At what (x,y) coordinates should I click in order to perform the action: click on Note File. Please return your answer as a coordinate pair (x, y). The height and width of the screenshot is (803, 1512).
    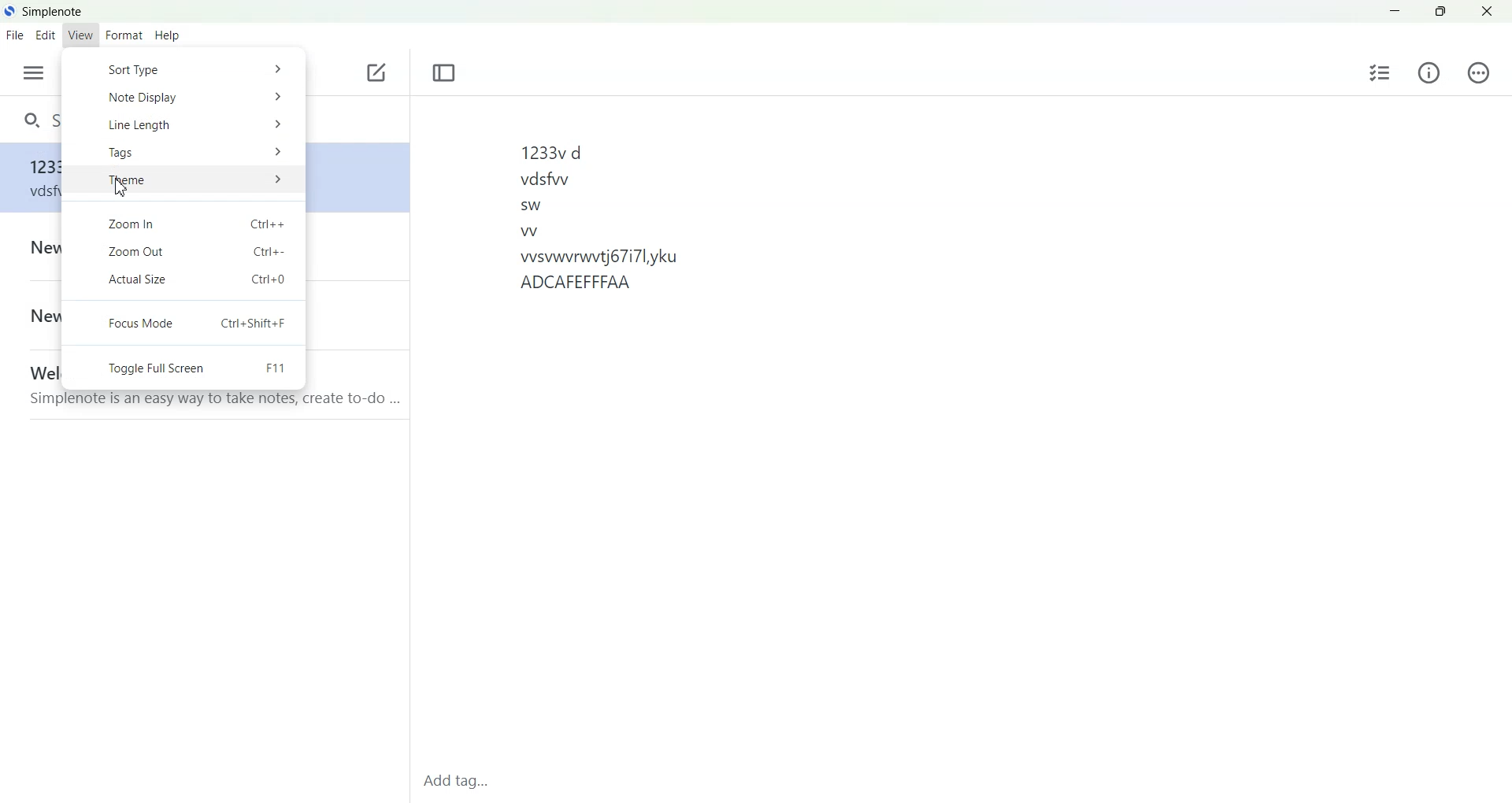
    Looking at the image, I should click on (34, 248).